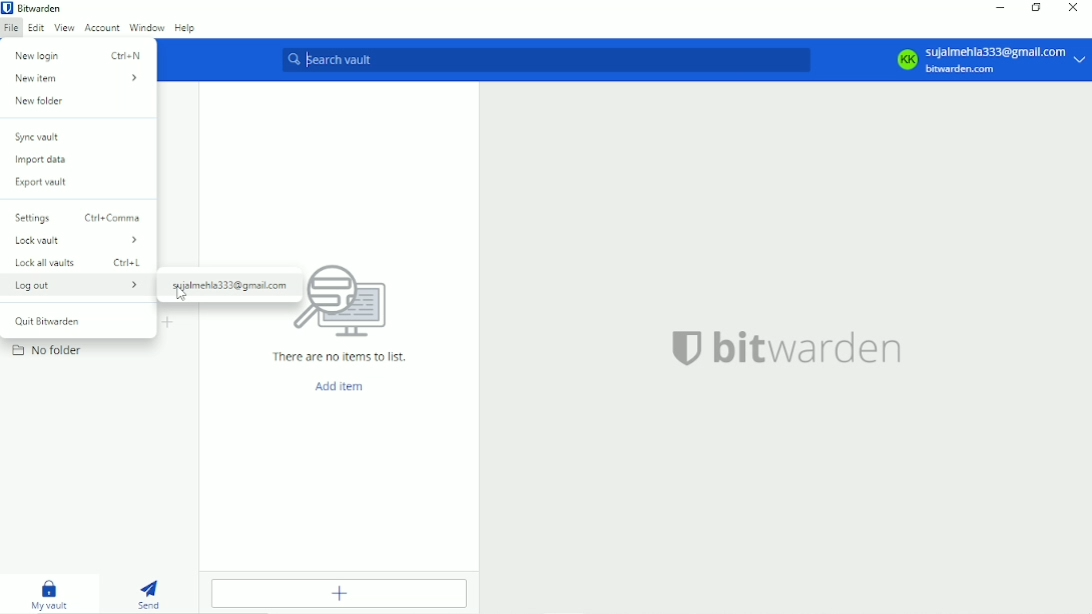 This screenshot has width=1092, height=614. Describe the element at coordinates (1074, 9) in the screenshot. I see `Close` at that location.